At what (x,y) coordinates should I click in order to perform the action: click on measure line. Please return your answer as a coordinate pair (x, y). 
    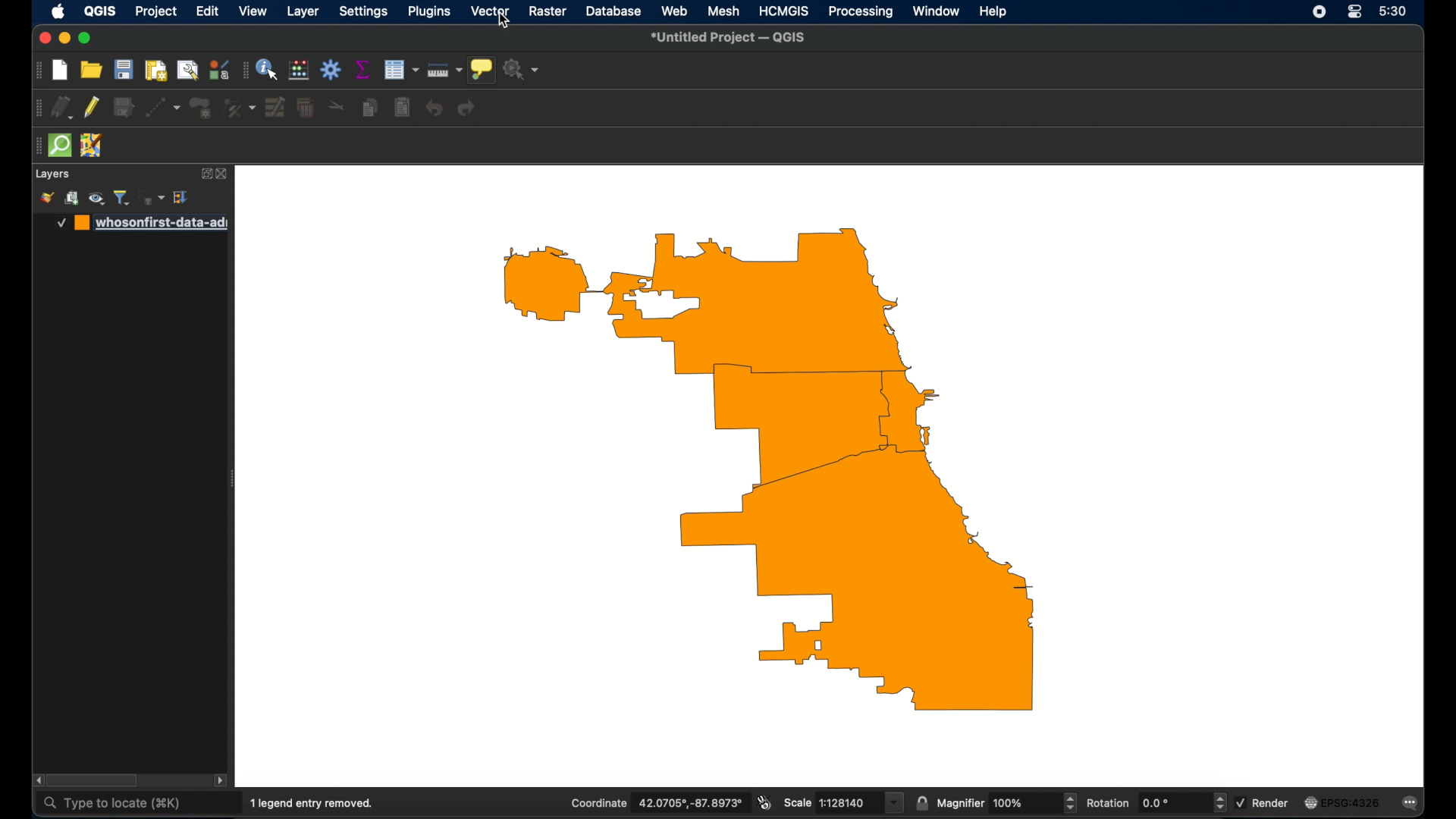
    Looking at the image, I should click on (444, 71).